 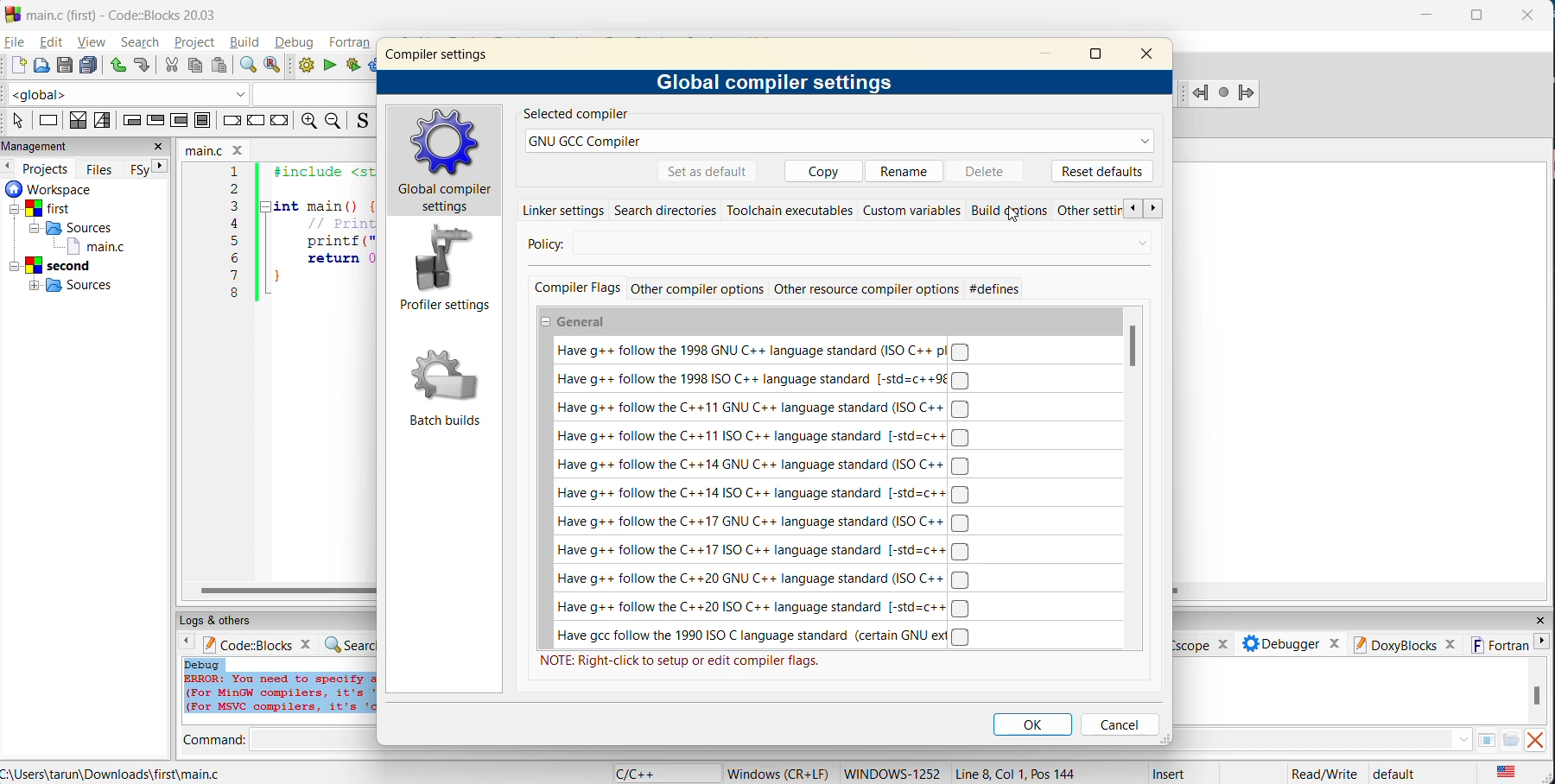 I want to click on open, so click(x=41, y=66).